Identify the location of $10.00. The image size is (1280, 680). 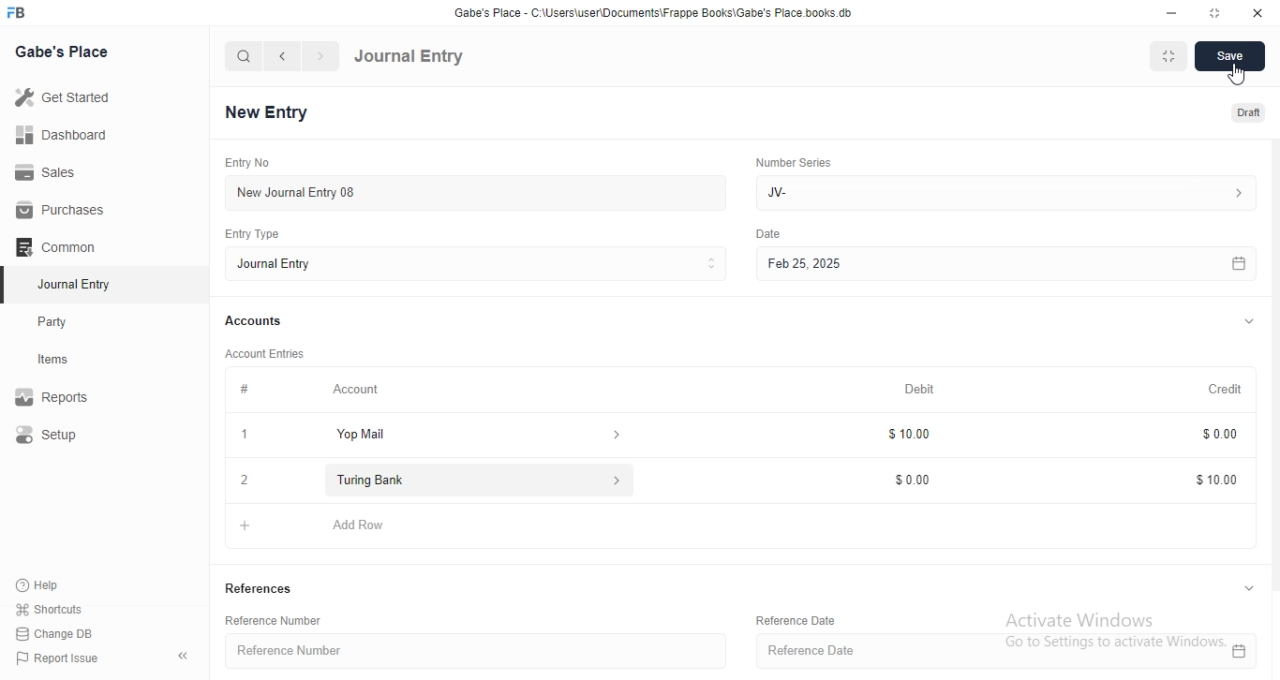
(1203, 478).